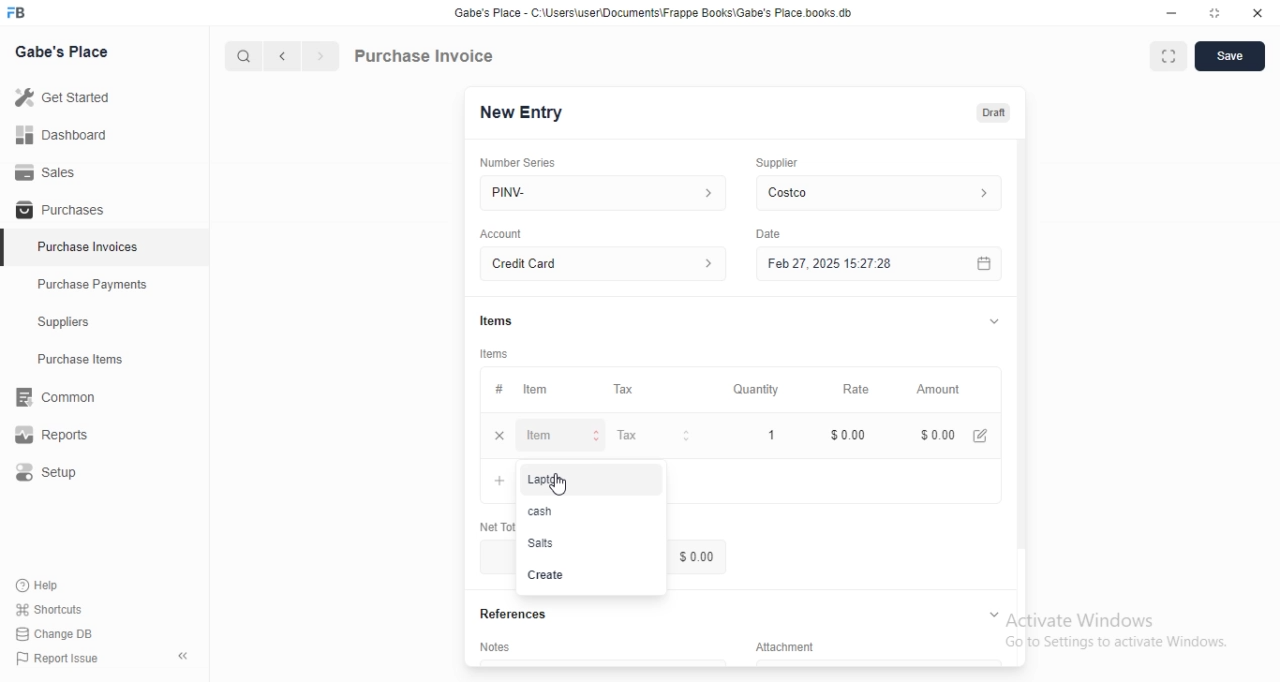 This screenshot has height=682, width=1280. What do you see at coordinates (1171, 13) in the screenshot?
I see `Minimize` at bounding box center [1171, 13].